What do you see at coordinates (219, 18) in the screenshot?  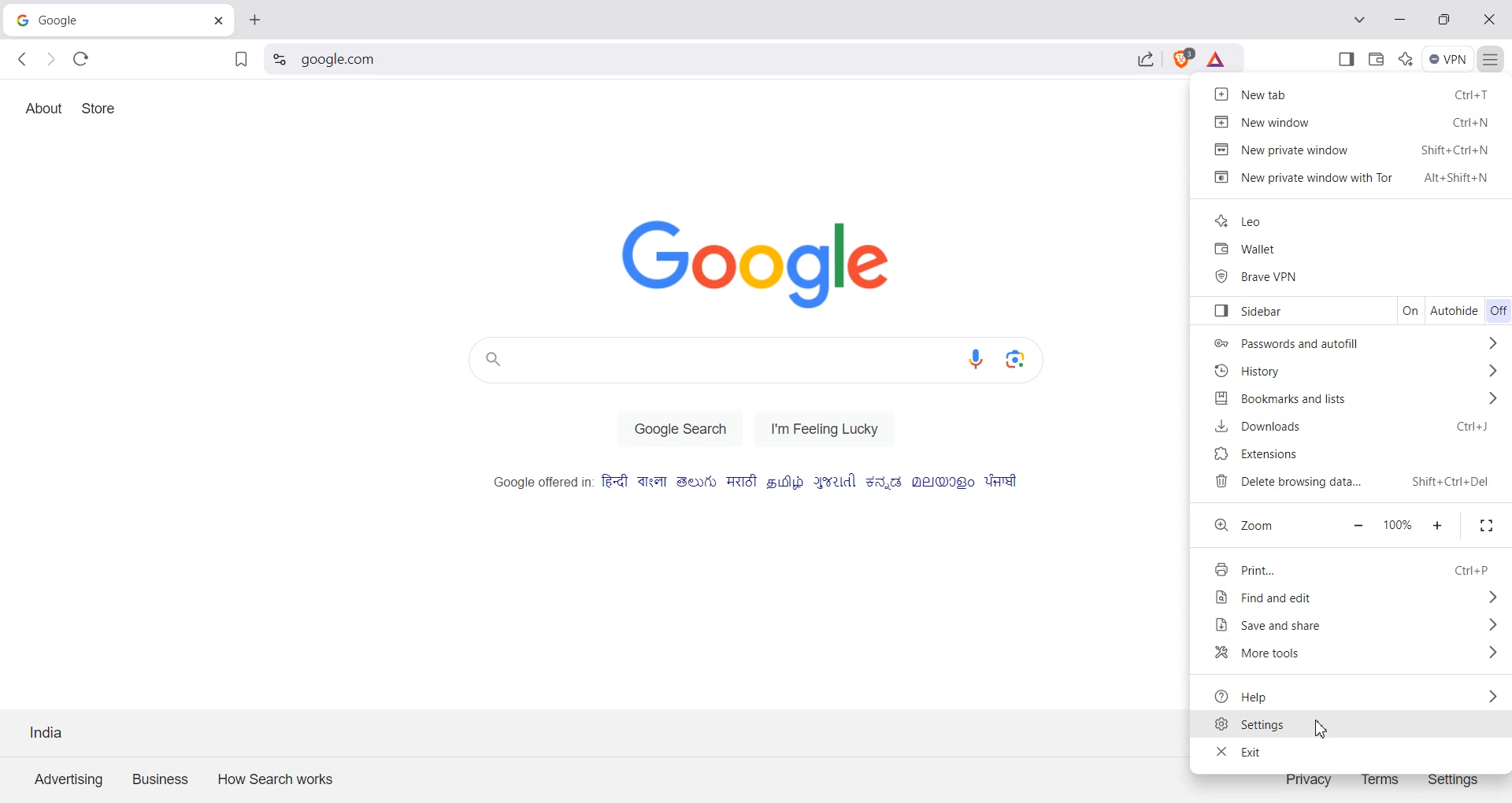 I see `Close Tab` at bounding box center [219, 18].